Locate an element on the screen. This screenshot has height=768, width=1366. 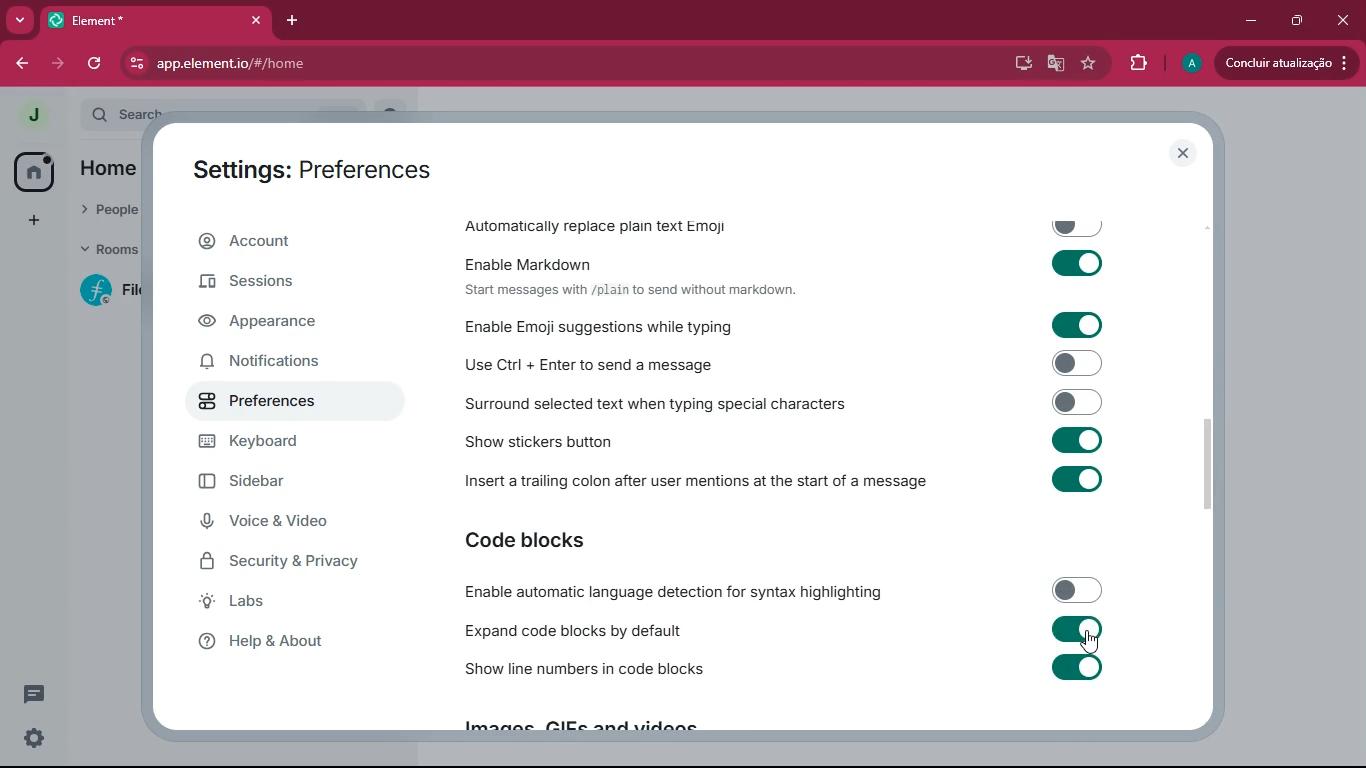
Surround selected text when typing special characters is located at coordinates (787, 402).